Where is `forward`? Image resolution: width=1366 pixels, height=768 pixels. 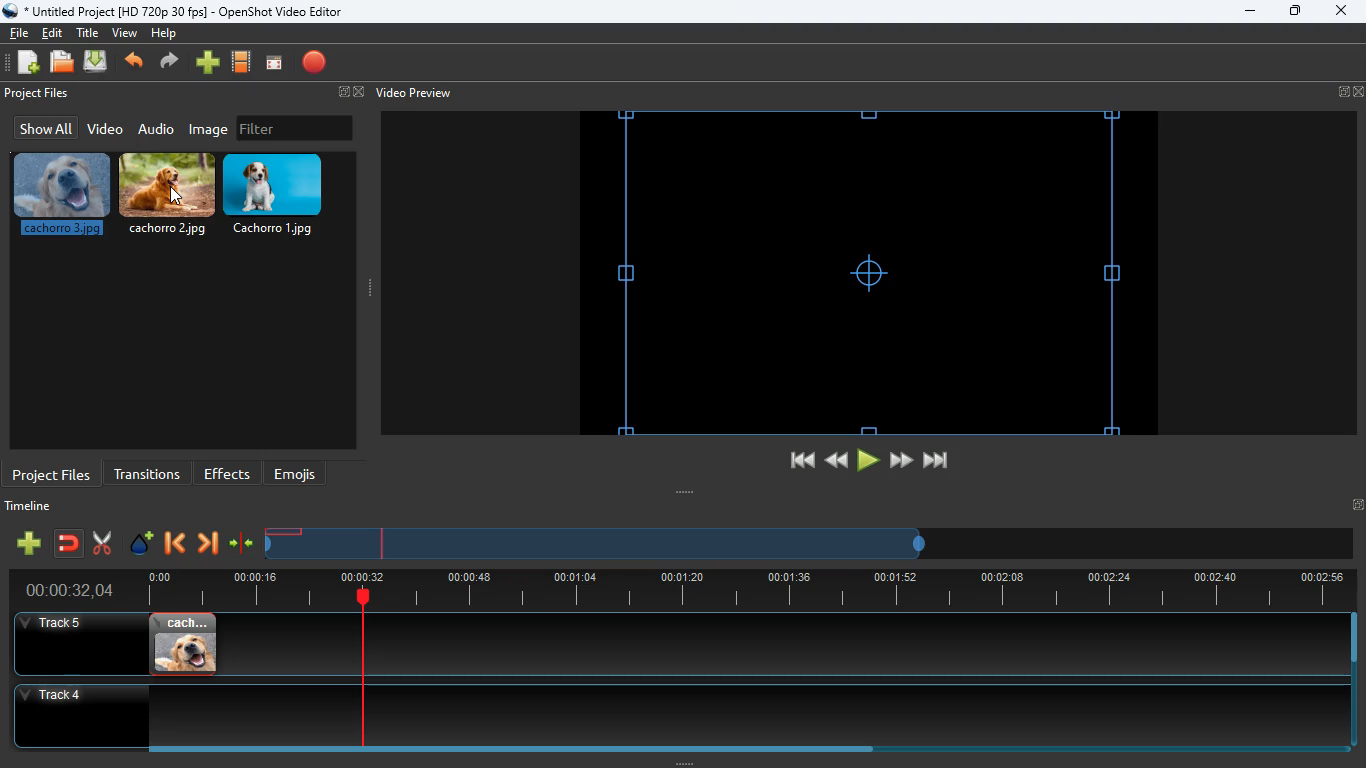
forward is located at coordinates (901, 461).